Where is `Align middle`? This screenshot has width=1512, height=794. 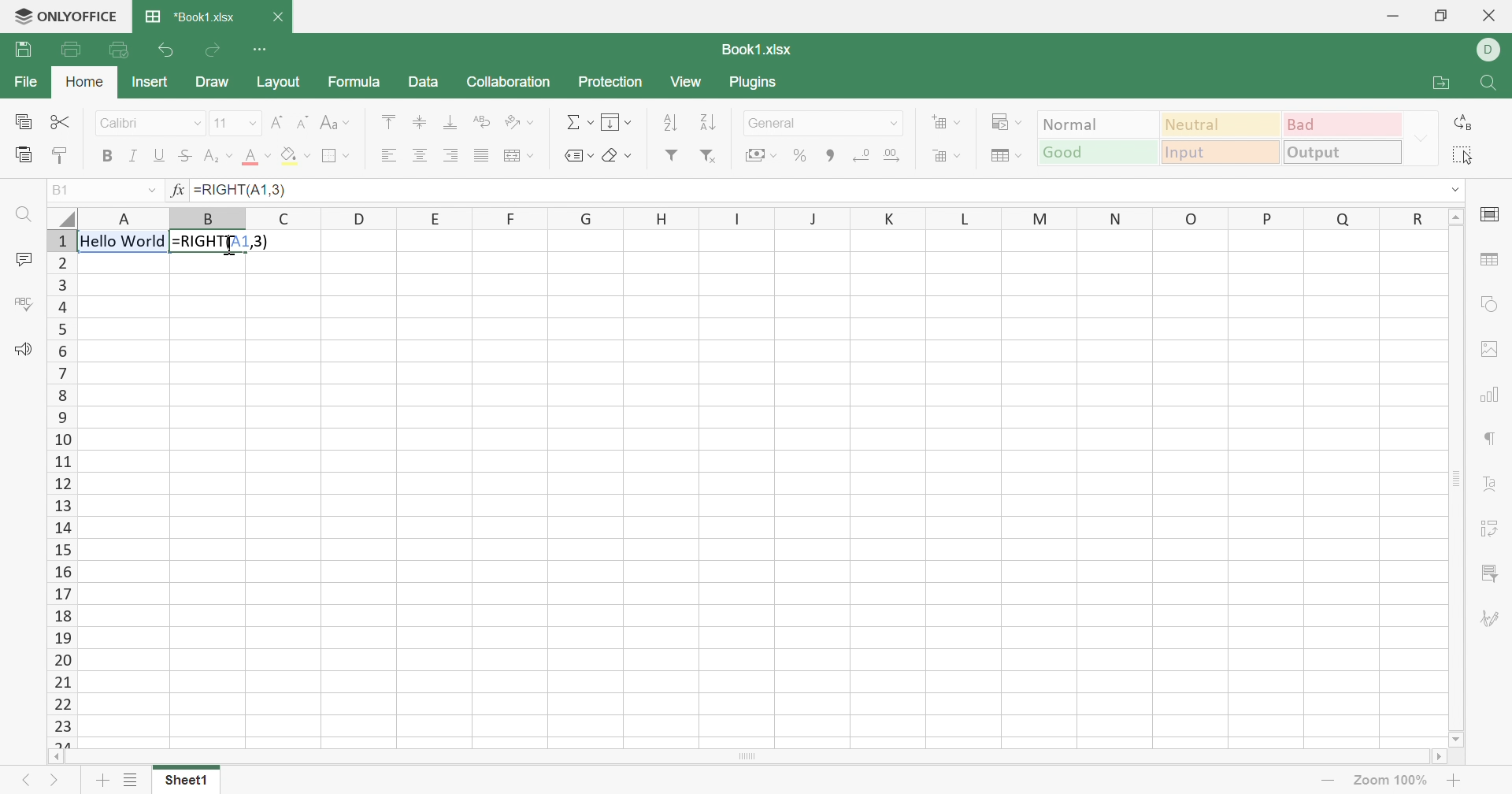
Align middle is located at coordinates (420, 121).